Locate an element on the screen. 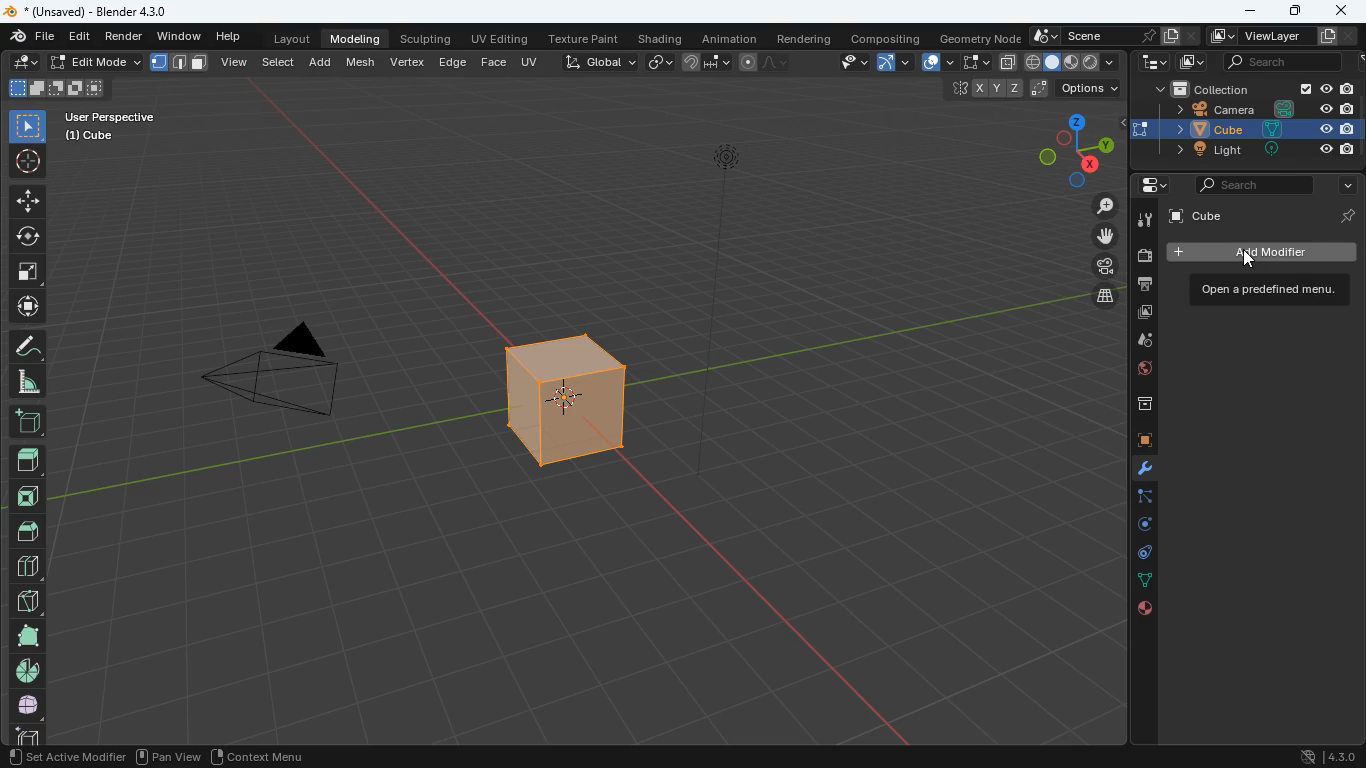 The height and width of the screenshot is (768, 1366). uv is located at coordinates (527, 61).